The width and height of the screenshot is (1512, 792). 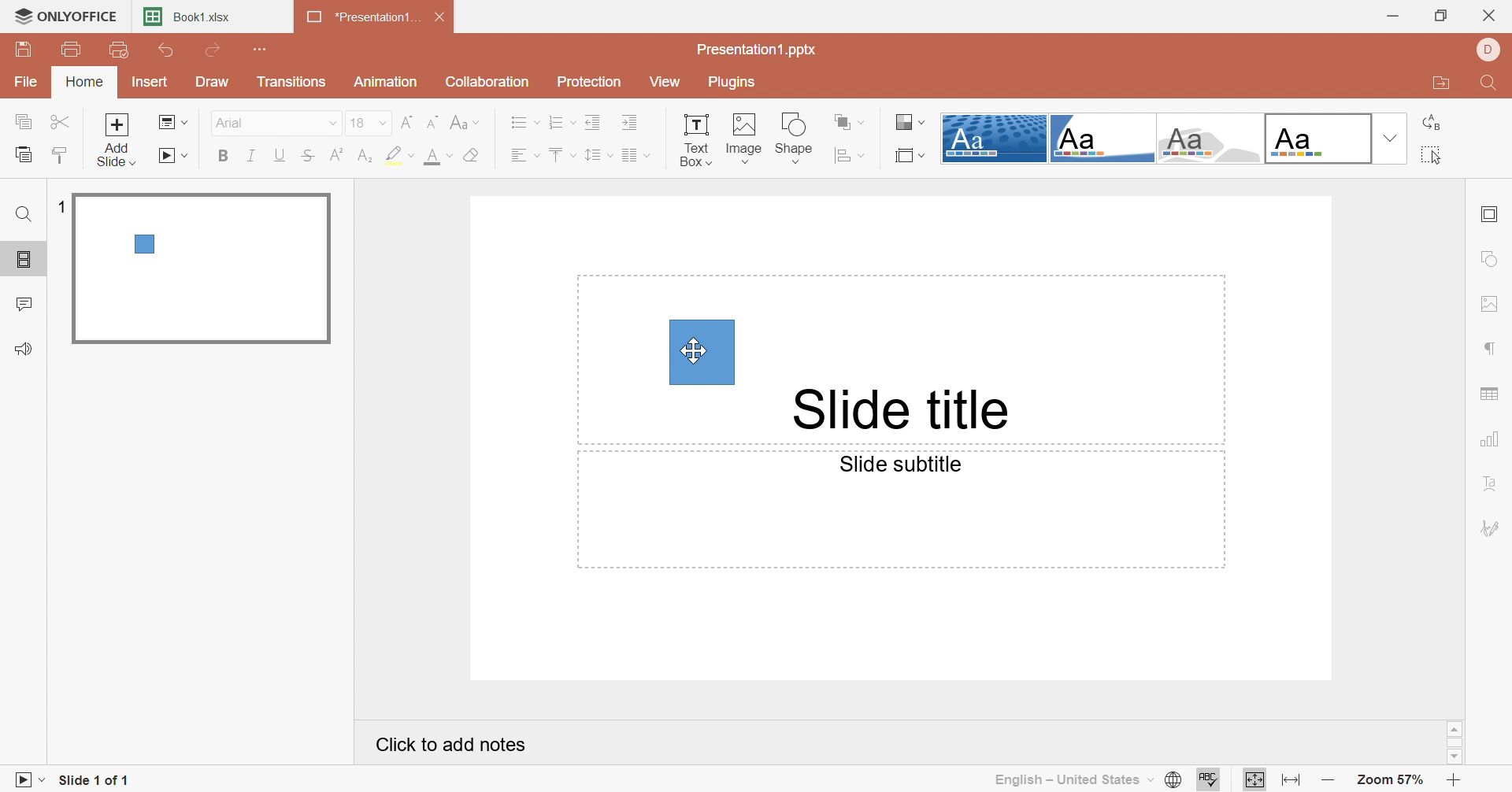 What do you see at coordinates (188, 19) in the screenshot?
I see `Book1.xlsx` at bounding box center [188, 19].